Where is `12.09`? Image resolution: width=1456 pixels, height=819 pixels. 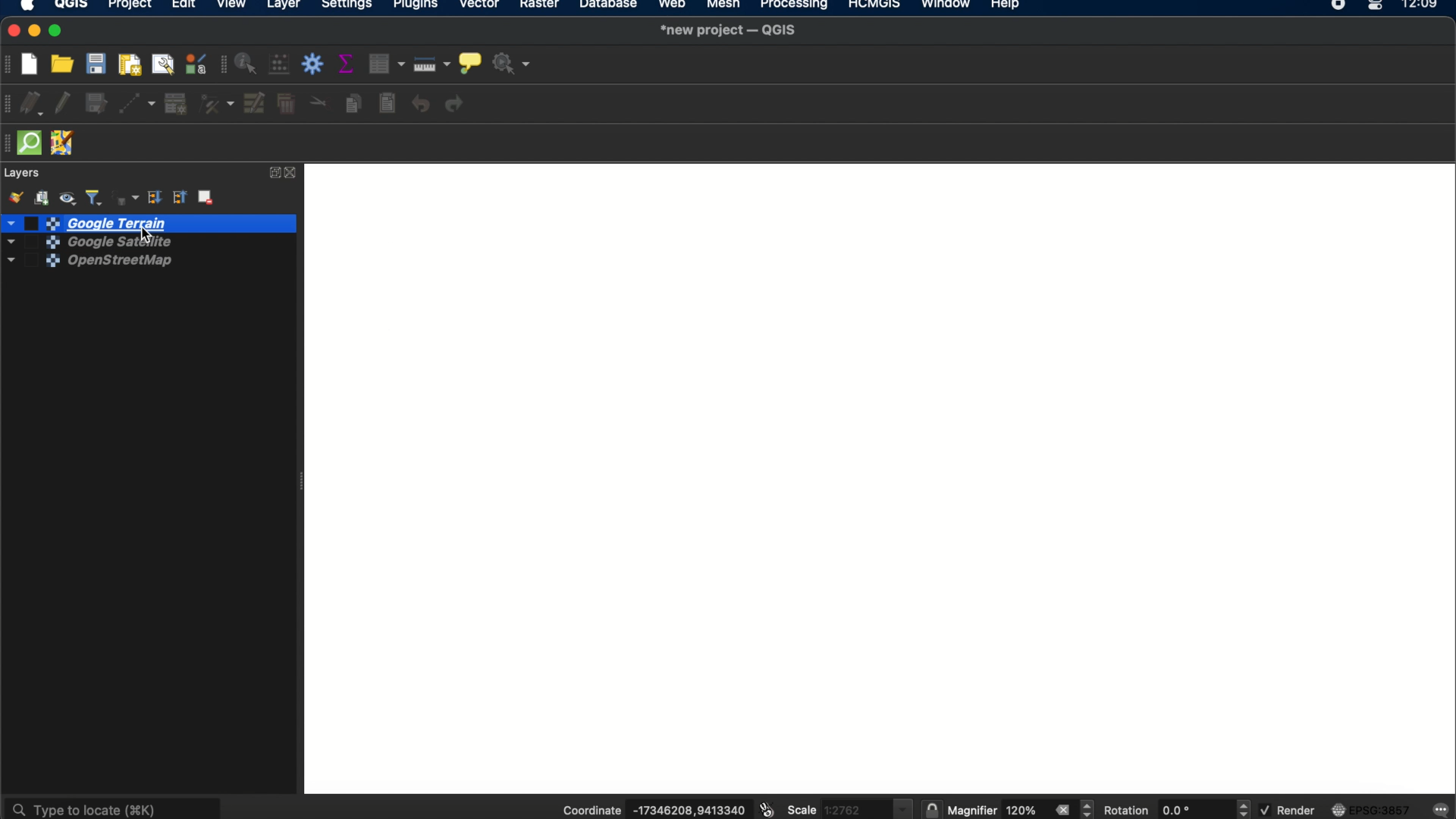
12.09 is located at coordinates (1426, 6).